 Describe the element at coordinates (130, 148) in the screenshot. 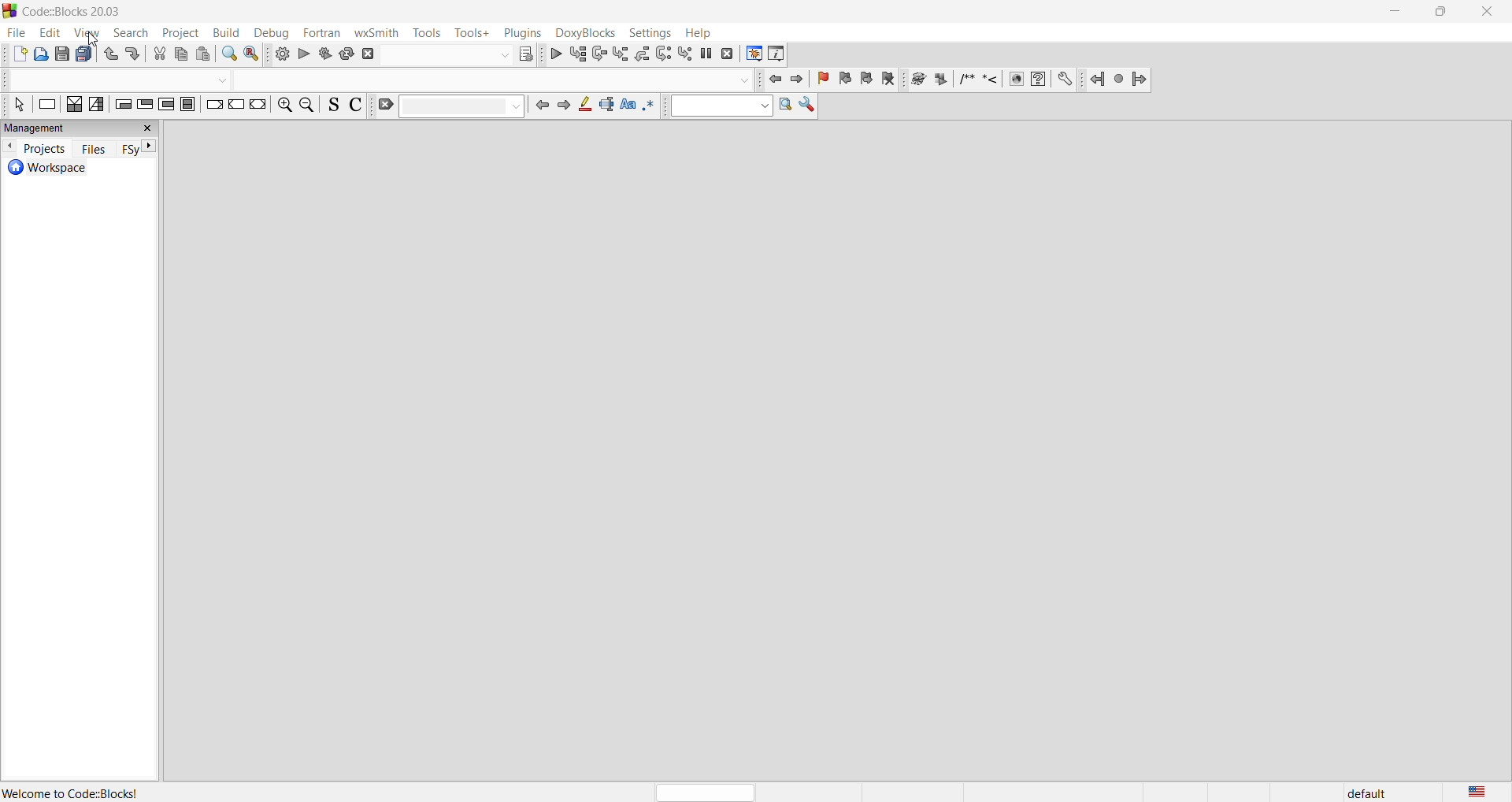

I see `` at that location.